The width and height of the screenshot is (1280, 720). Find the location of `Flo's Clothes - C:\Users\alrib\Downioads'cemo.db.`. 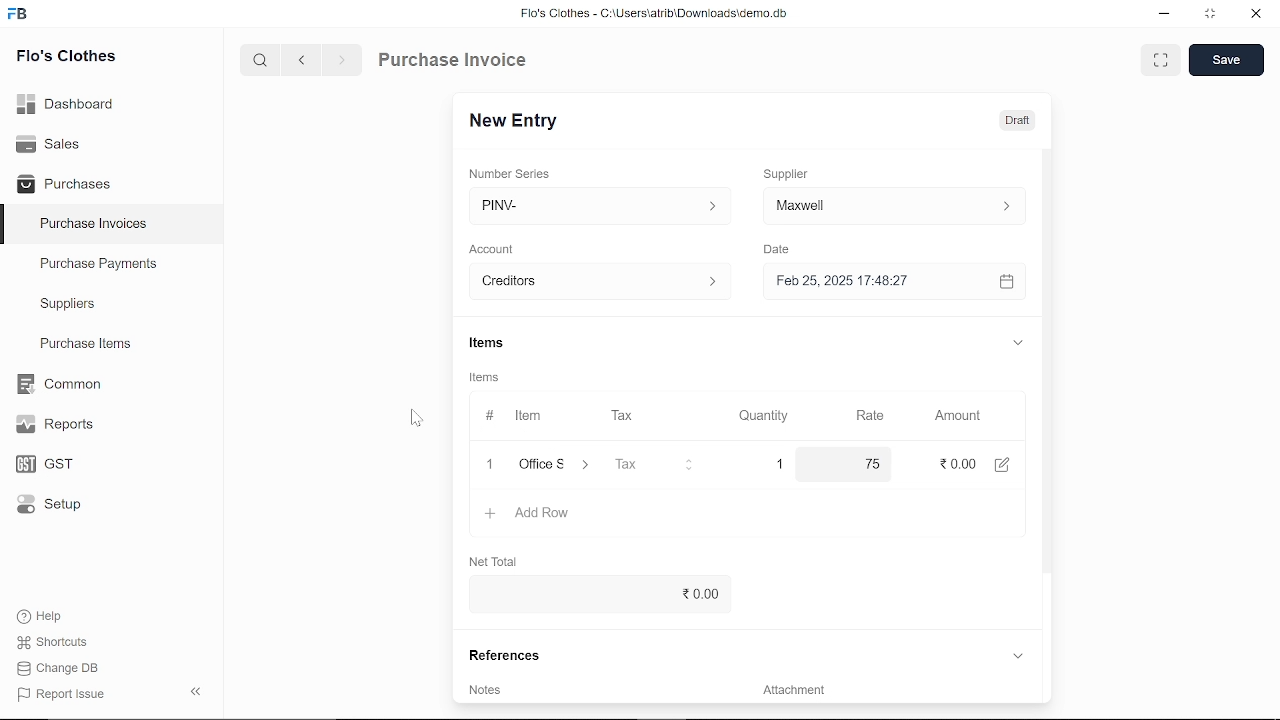

Flo's Clothes - C:\Users\alrib\Downioads'cemo.db. is located at coordinates (653, 17).